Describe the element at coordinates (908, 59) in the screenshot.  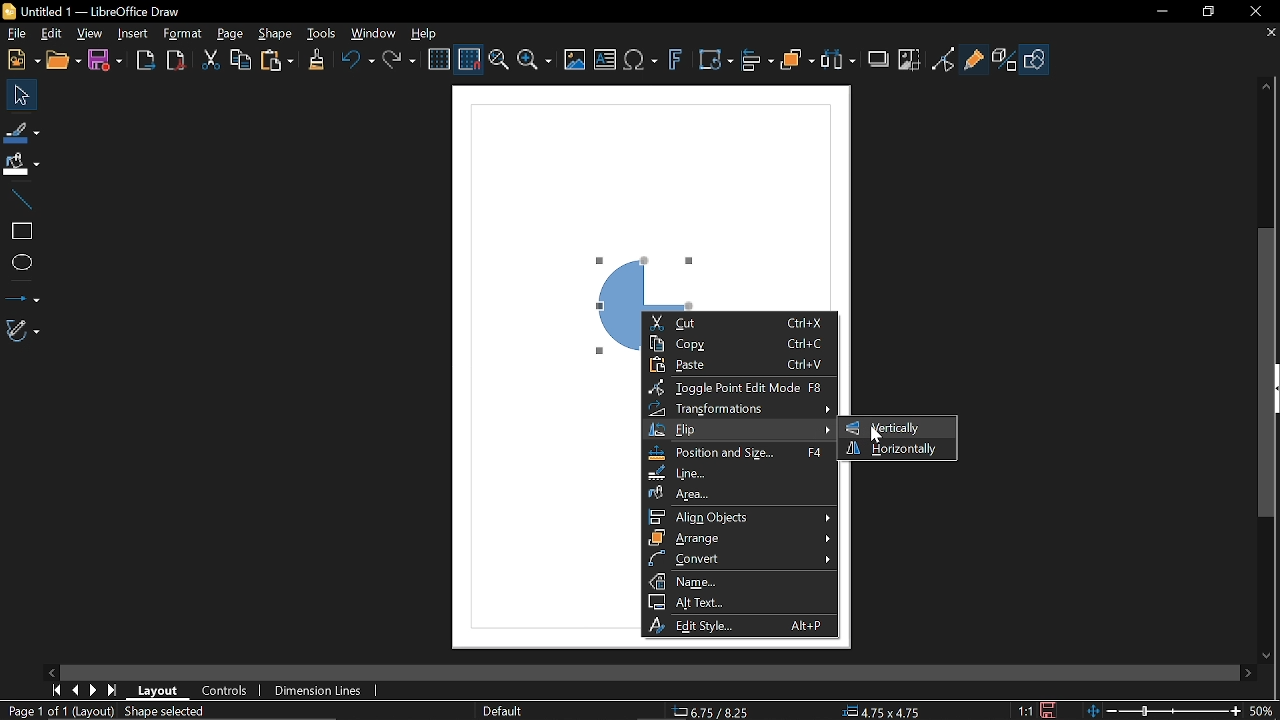
I see `Crop` at that location.